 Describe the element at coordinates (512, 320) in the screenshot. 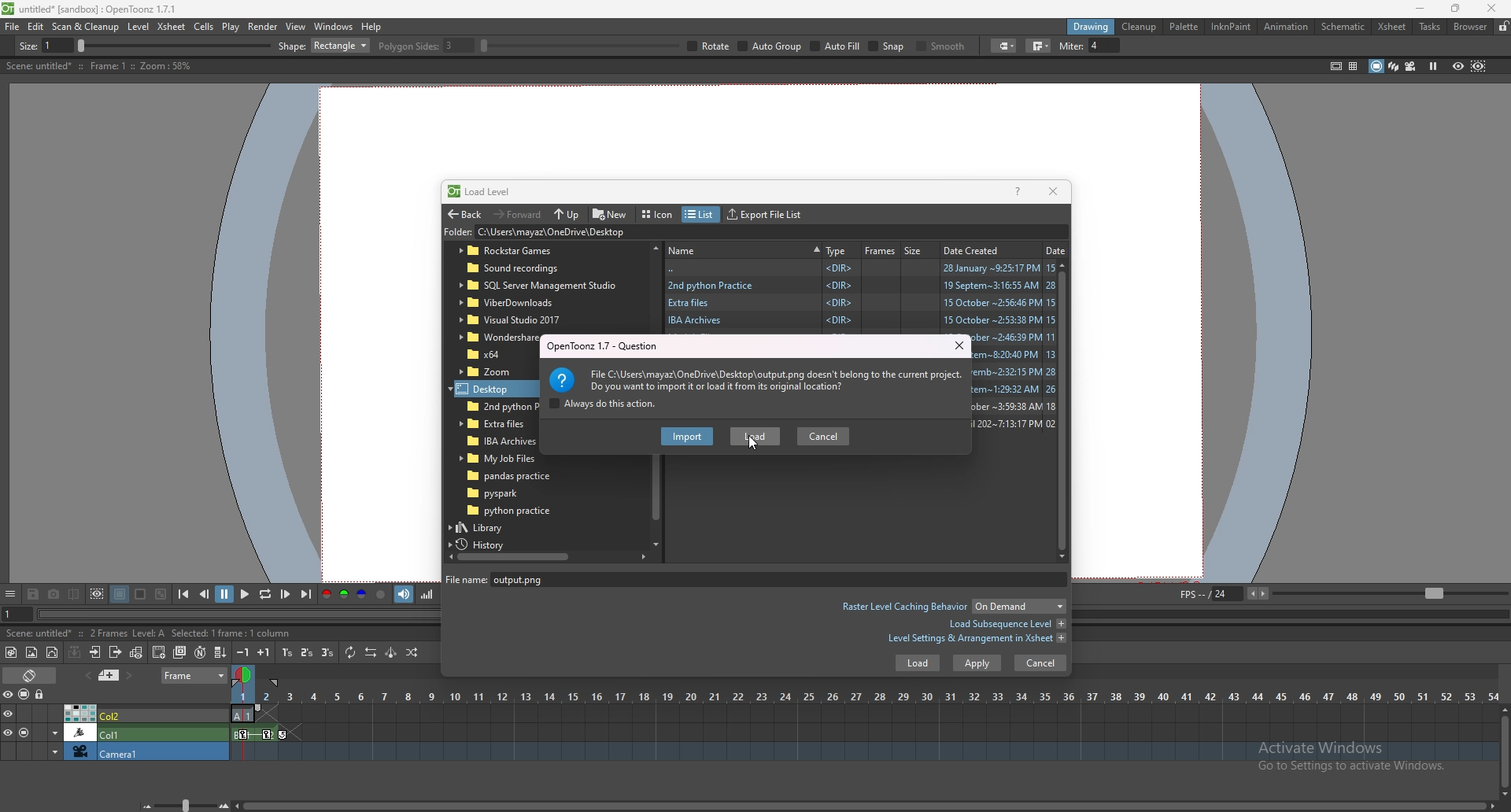

I see `folder` at that location.